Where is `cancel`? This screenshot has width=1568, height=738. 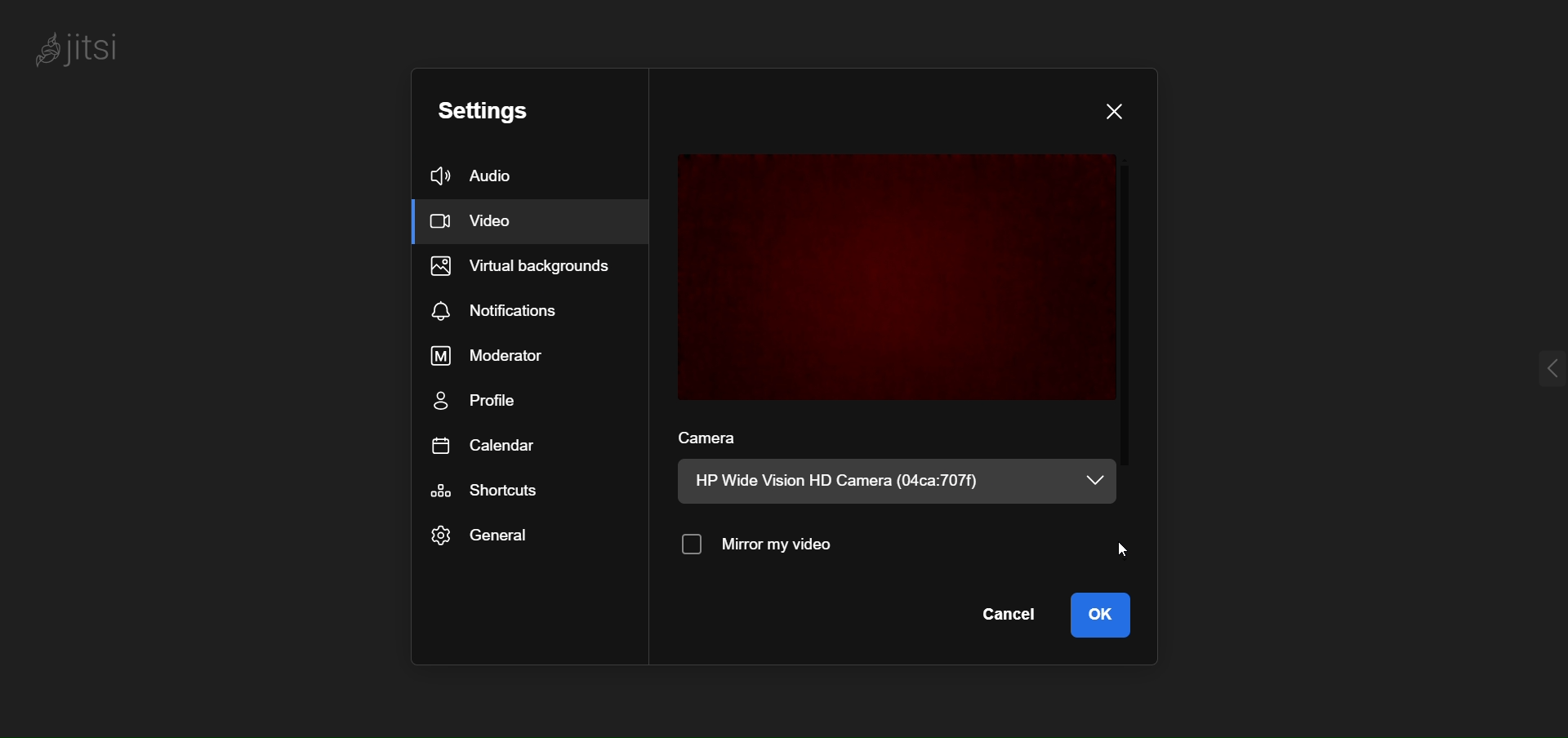
cancel is located at coordinates (1013, 616).